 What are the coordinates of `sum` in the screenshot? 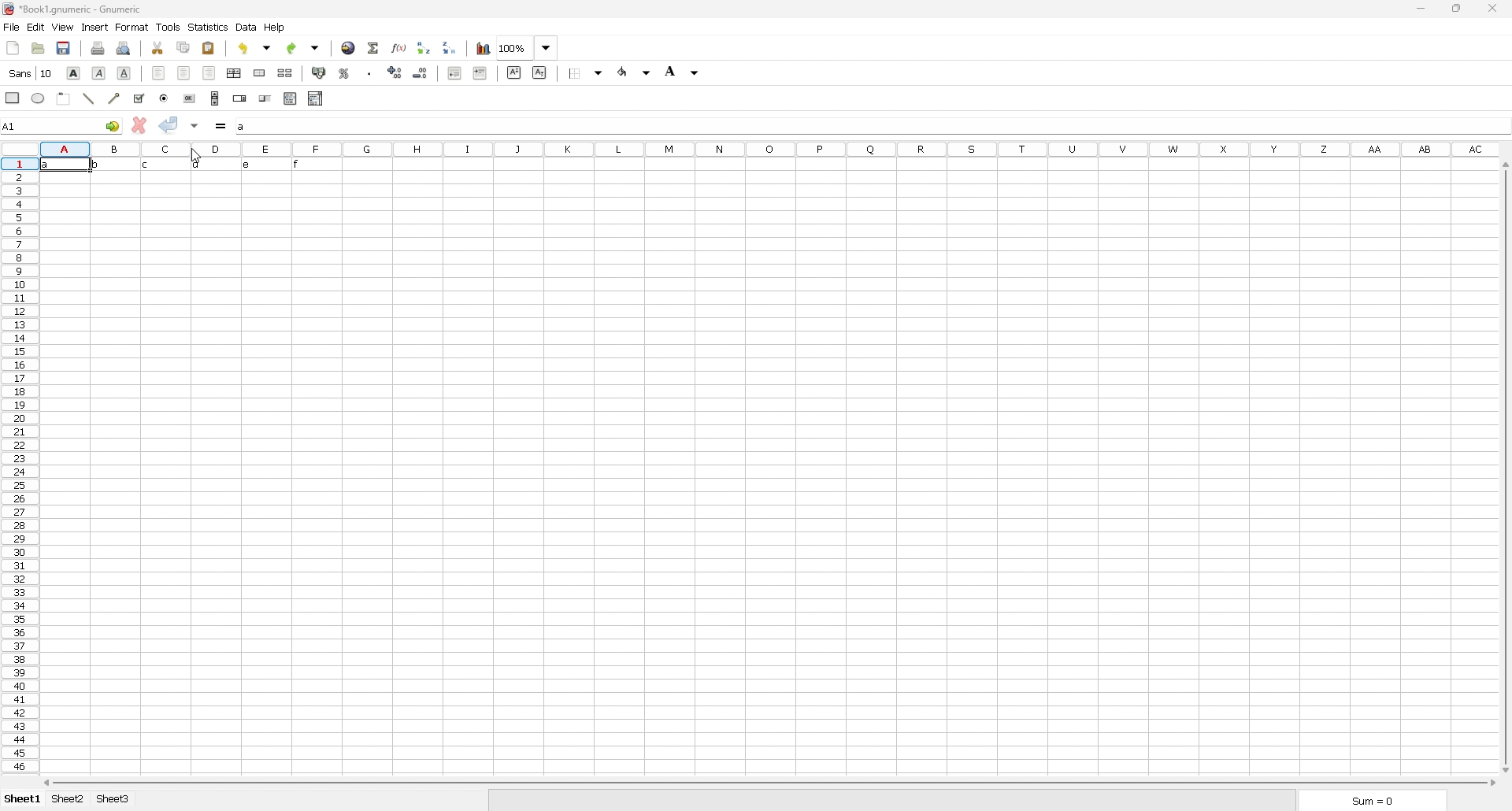 It's located at (1372, 802).